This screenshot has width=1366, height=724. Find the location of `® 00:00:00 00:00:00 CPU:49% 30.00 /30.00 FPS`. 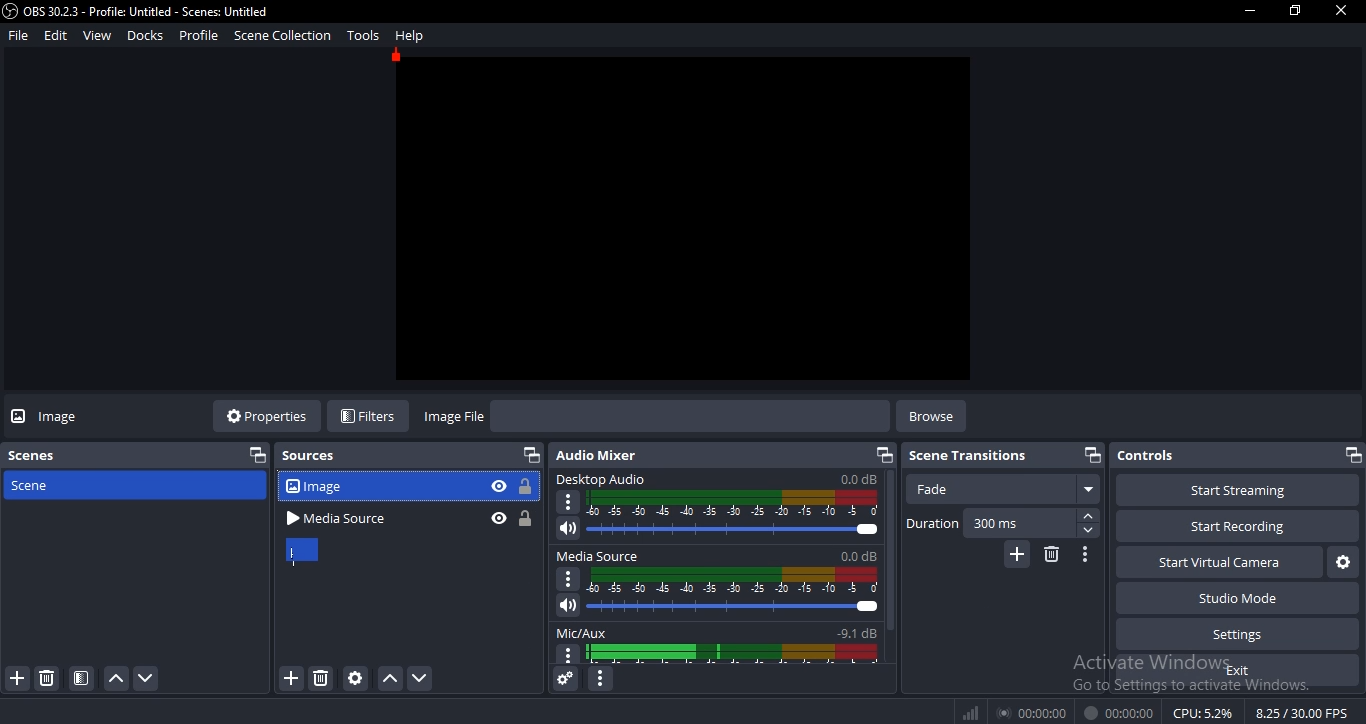

® 00:00:00 00:00:00 CPU:49% 30.00 /30.00 FPS is located at coordinates (1158, 711).